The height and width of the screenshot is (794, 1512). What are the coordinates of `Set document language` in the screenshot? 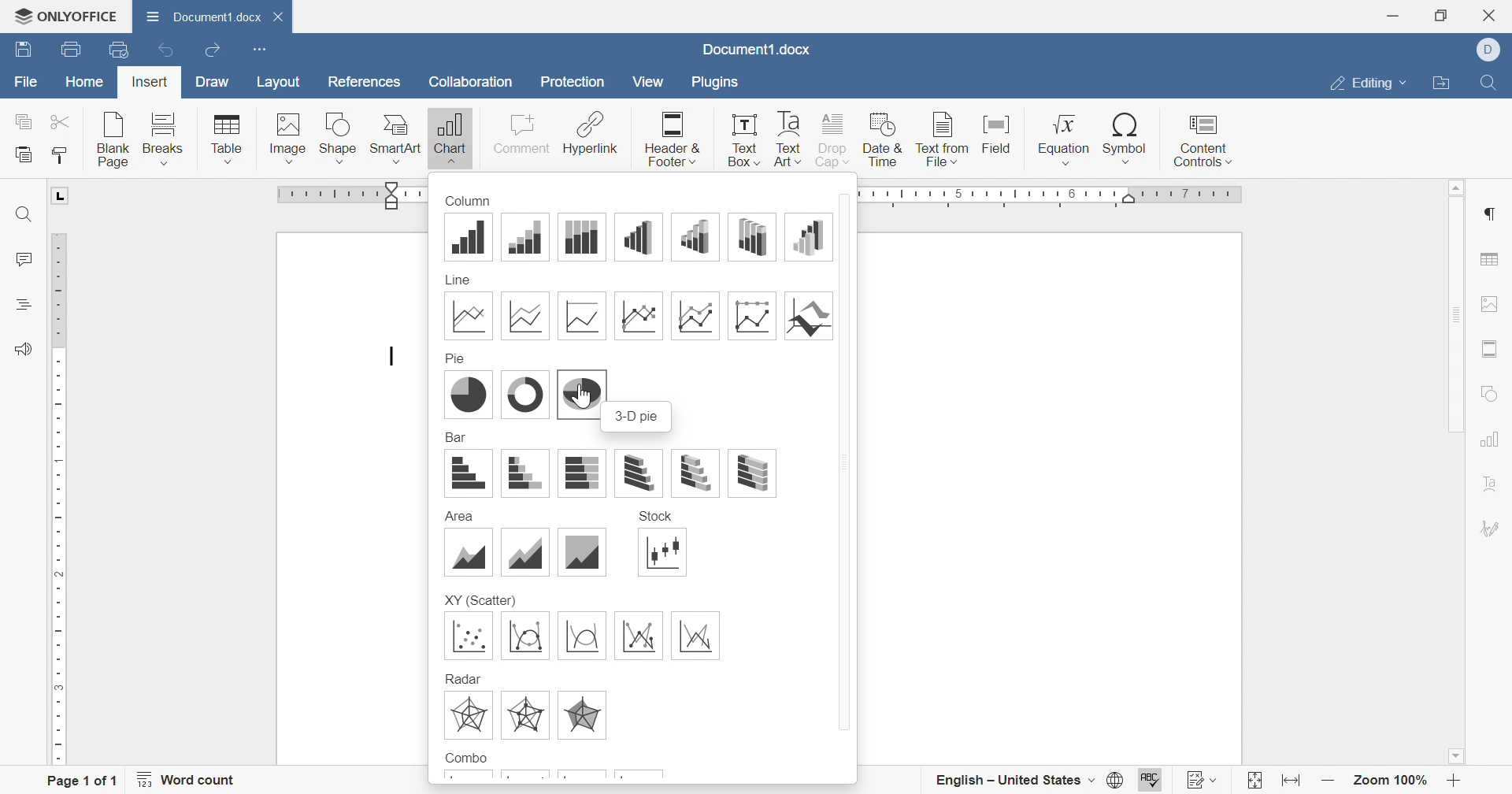 It's located at (1116, 779).